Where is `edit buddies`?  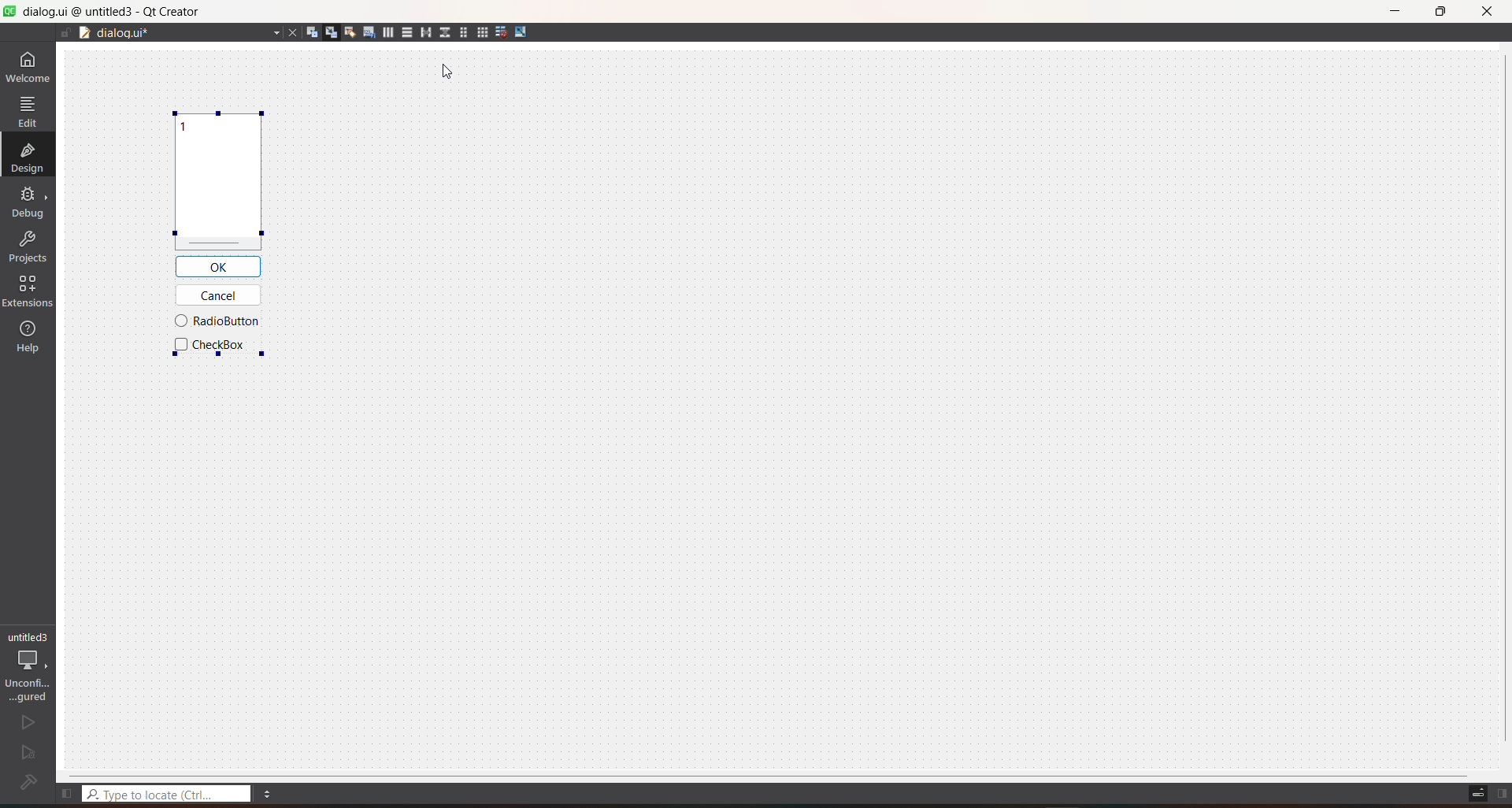
edit buddies is located at coordinates (350, 34).